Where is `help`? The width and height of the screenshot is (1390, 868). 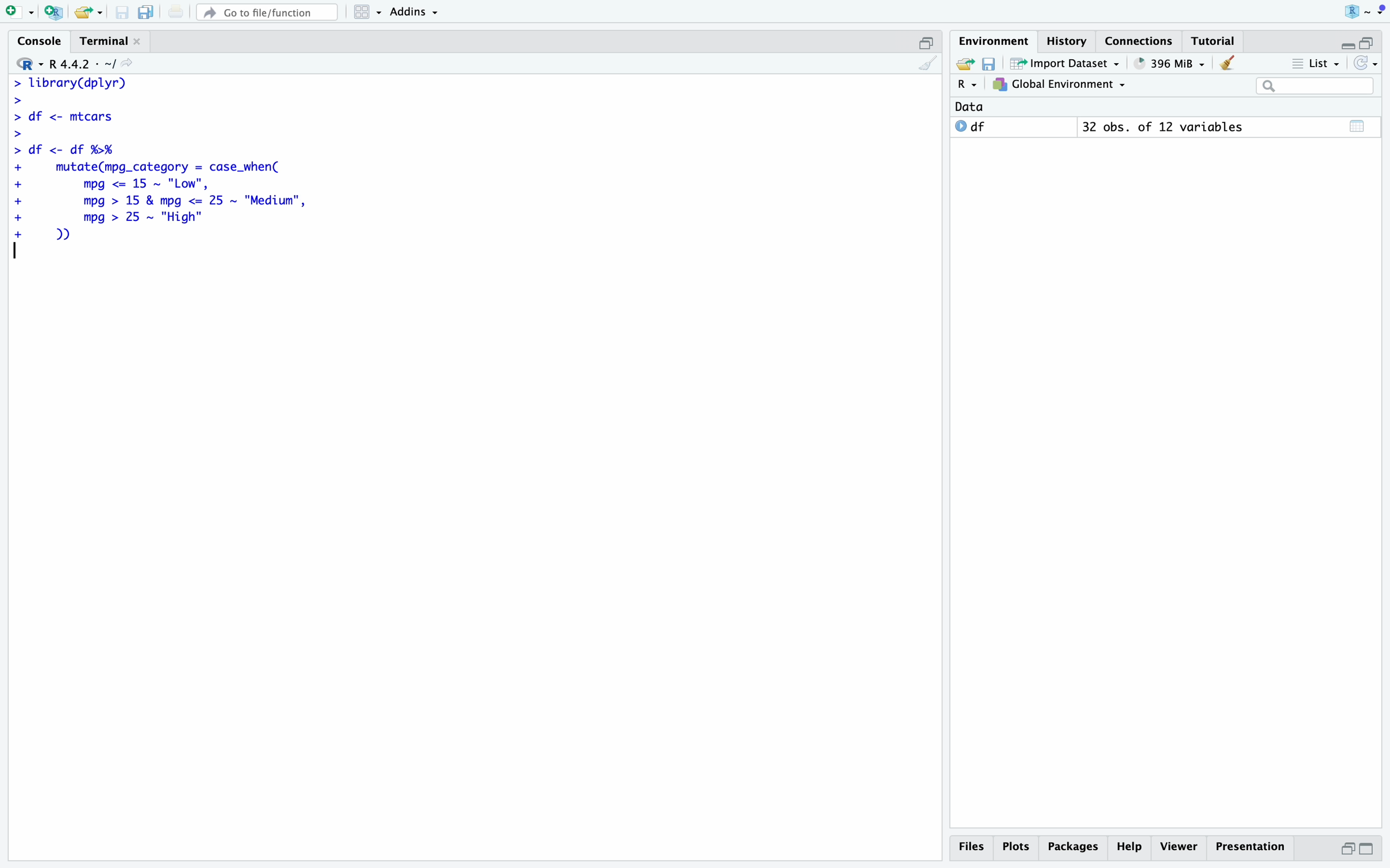 help is located at coordinates (1130, 848).